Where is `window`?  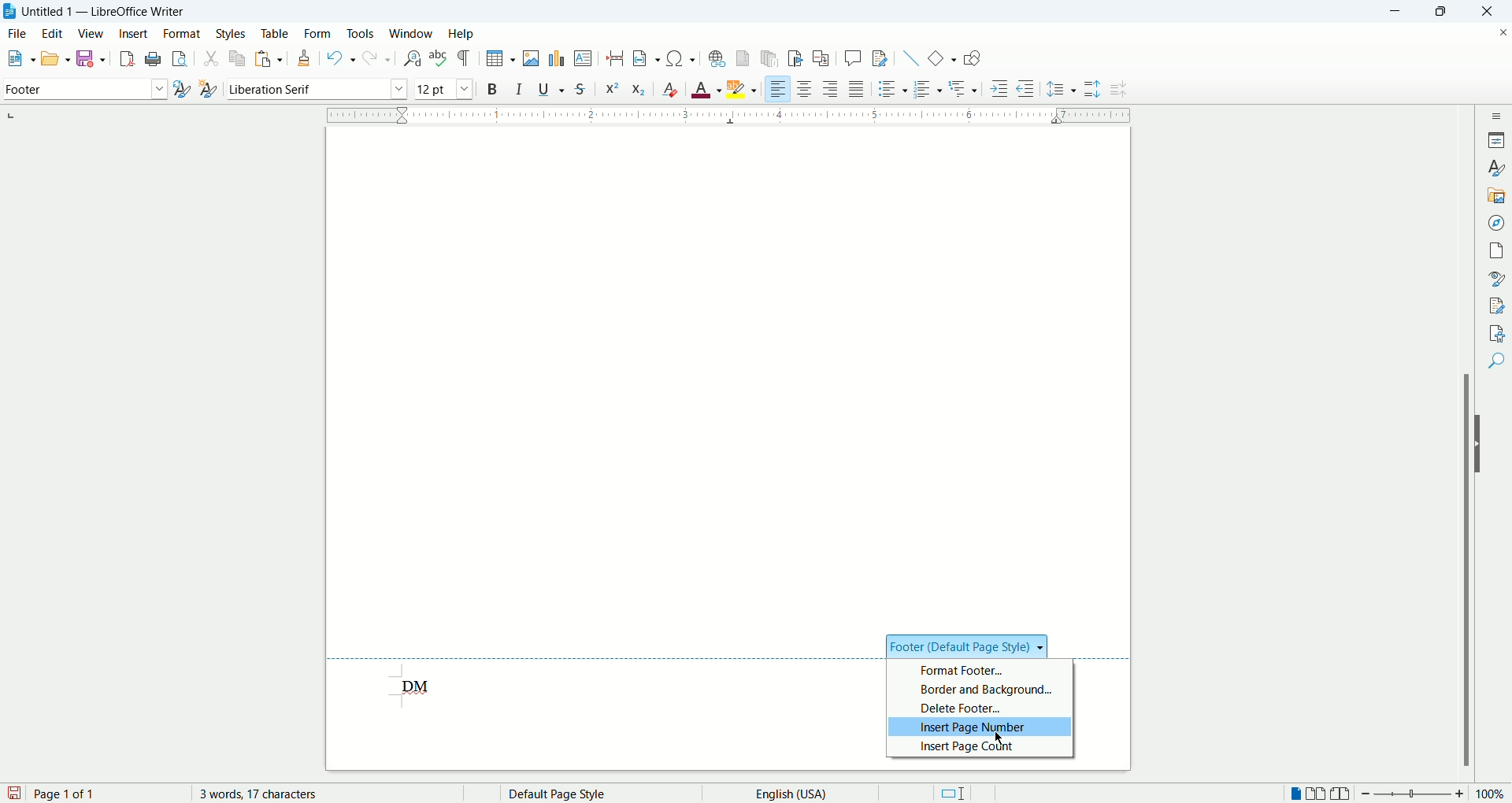
window is located at coordinates (412, 34).